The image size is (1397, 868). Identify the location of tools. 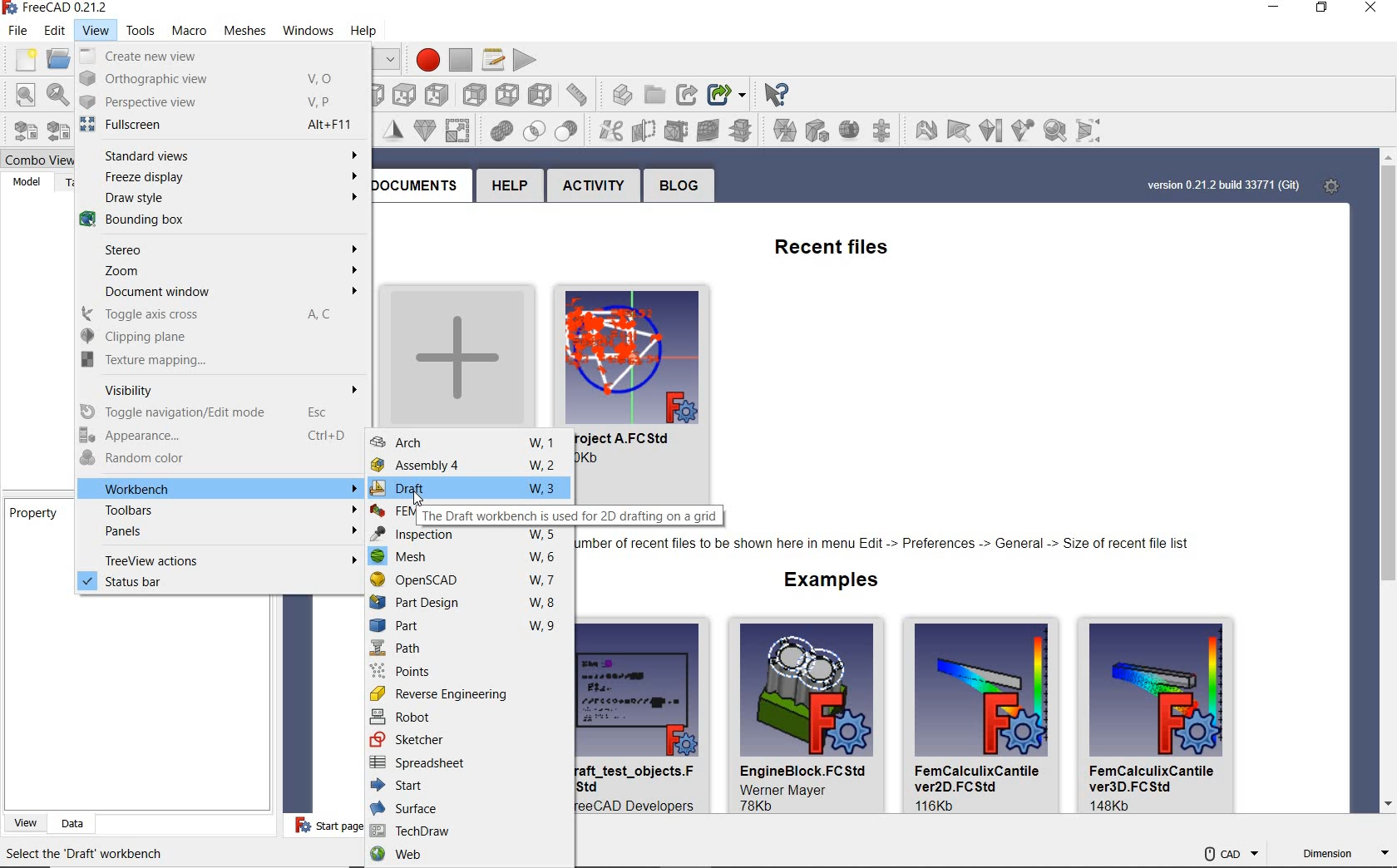
(141, 28).